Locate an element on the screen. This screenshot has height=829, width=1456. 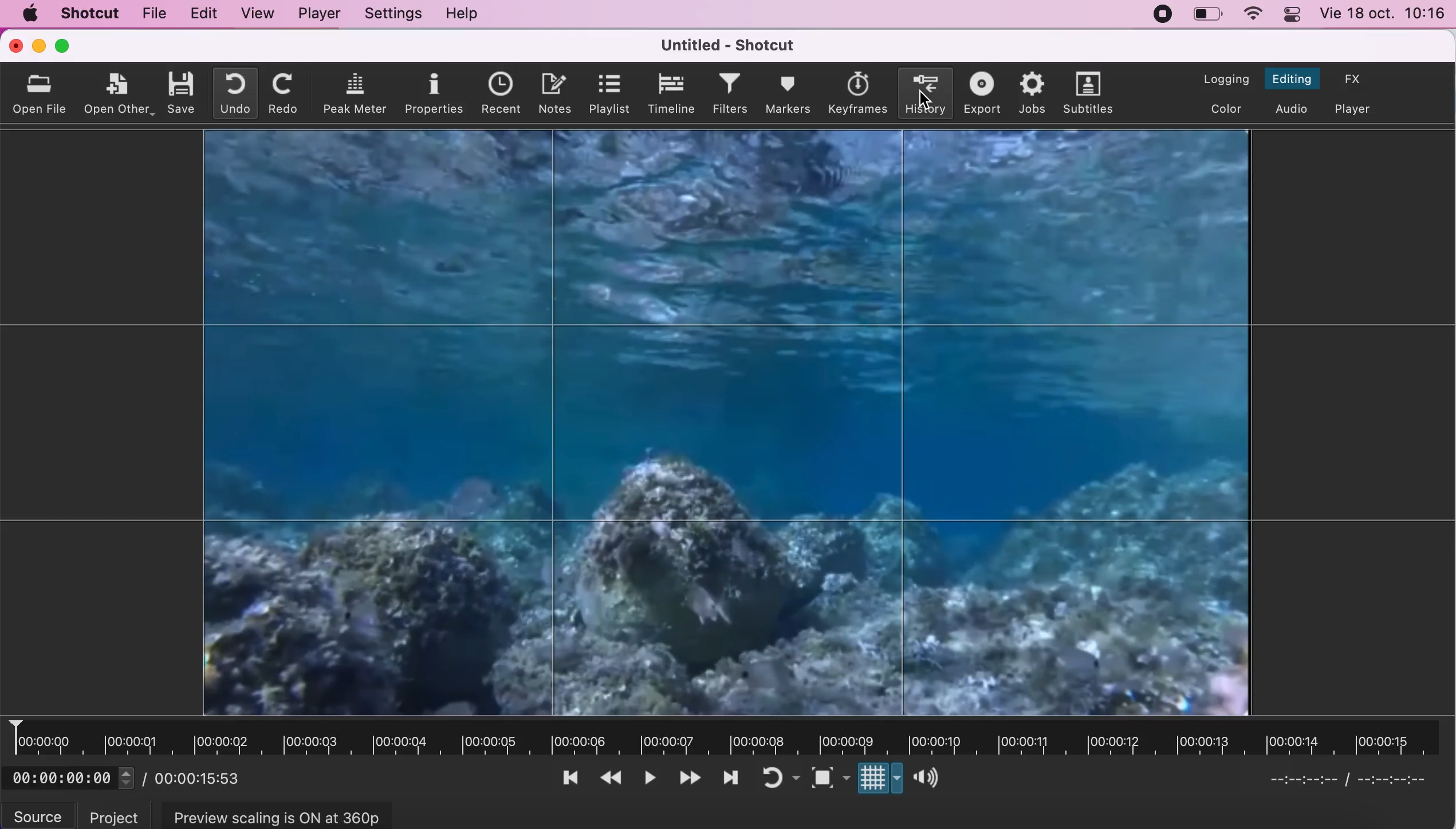
playlist is located at coordinates (608, 94).